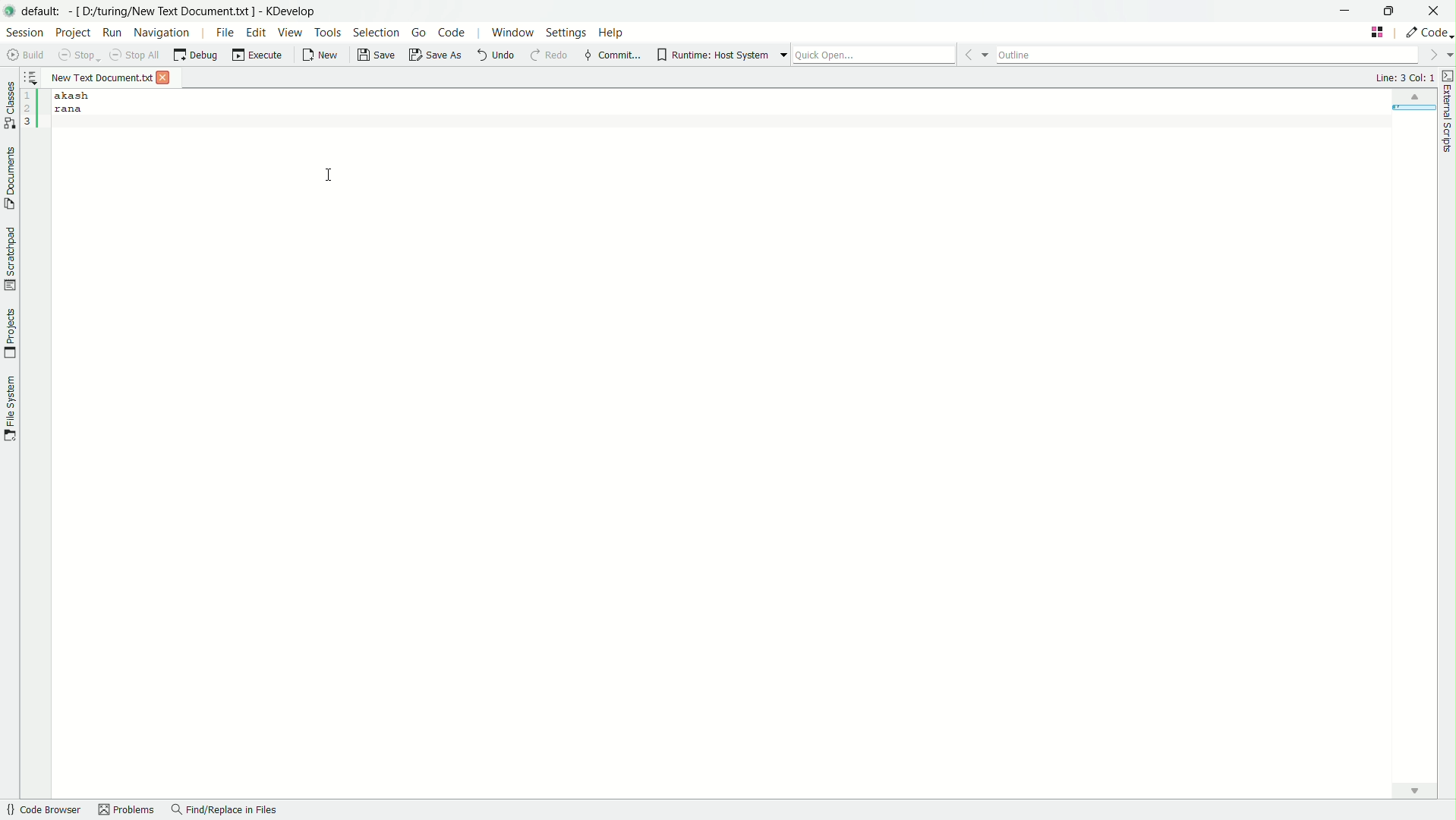 The width and height of the screenshot is (1456, 820). I want to click on toggle scratchpad , so click(11, 260).